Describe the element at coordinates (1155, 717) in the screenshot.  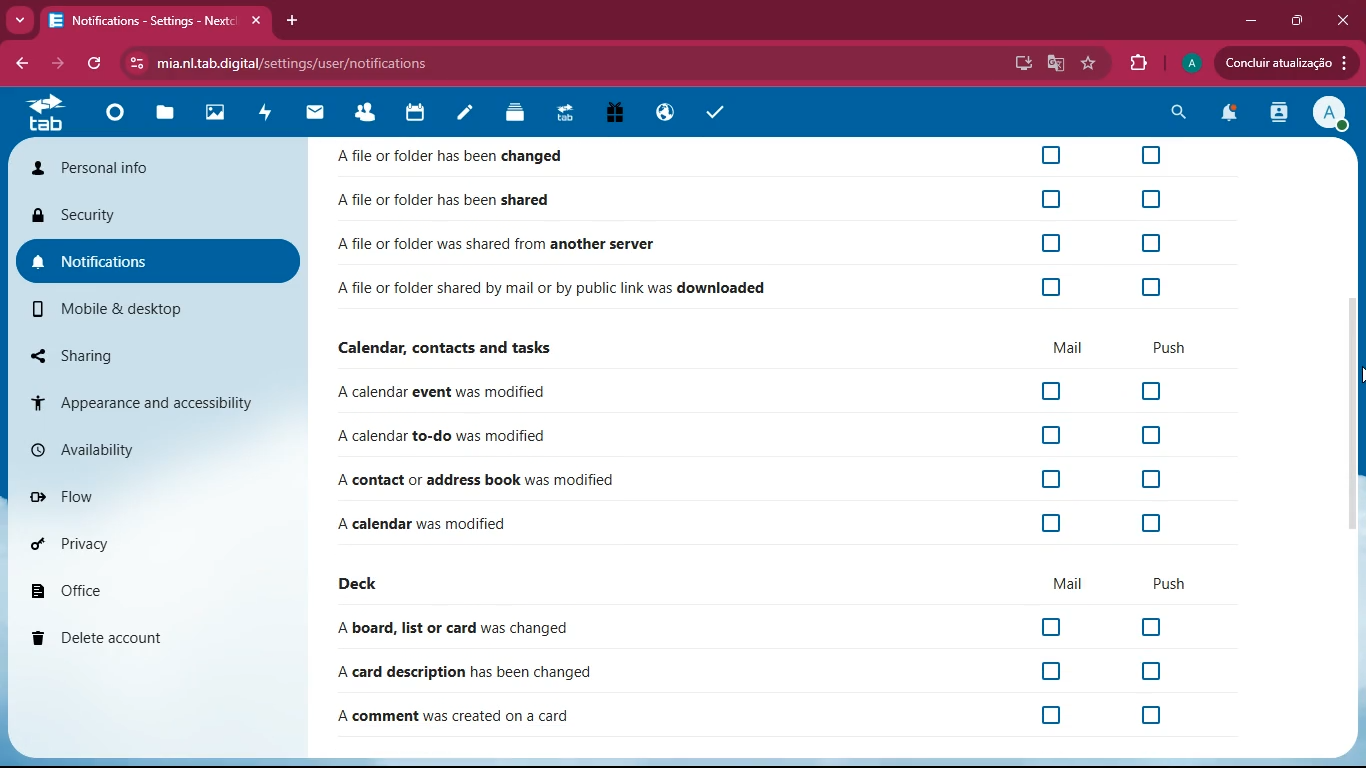
I see `off` at that location.